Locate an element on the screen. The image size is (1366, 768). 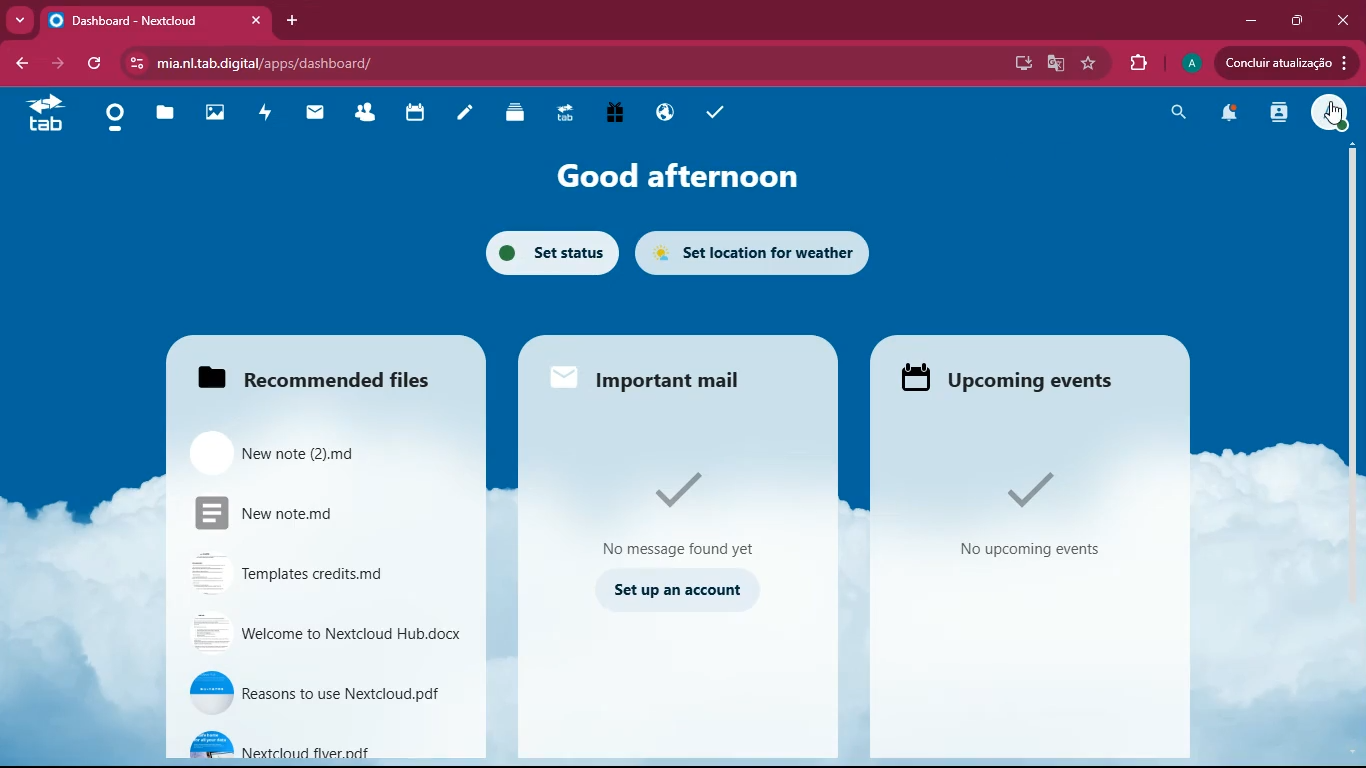
profile is located at coordinates (1329, 116).